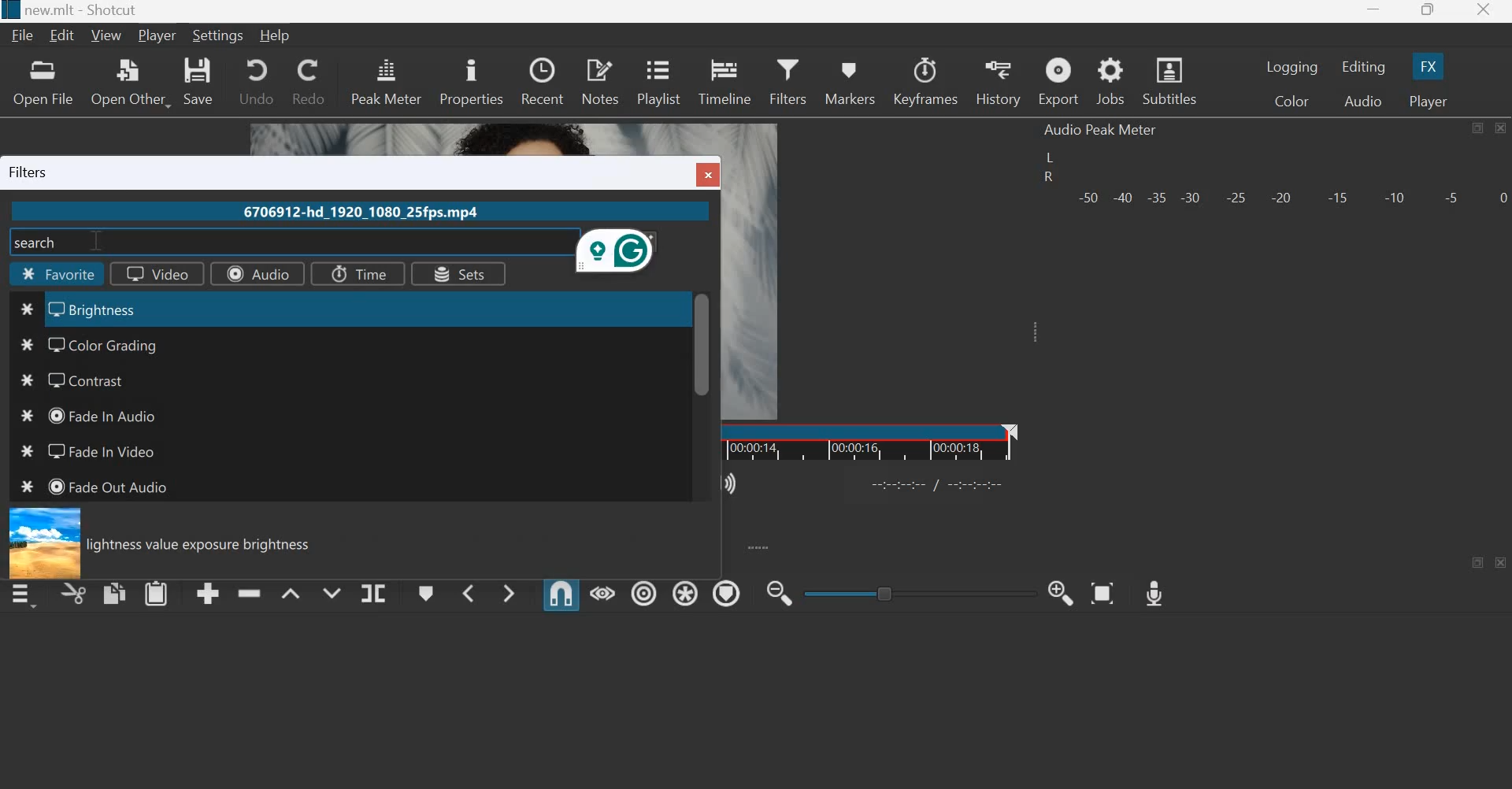 This screenshot has height=789, width=1512. I want to click on Favorite, so click(59, 276).